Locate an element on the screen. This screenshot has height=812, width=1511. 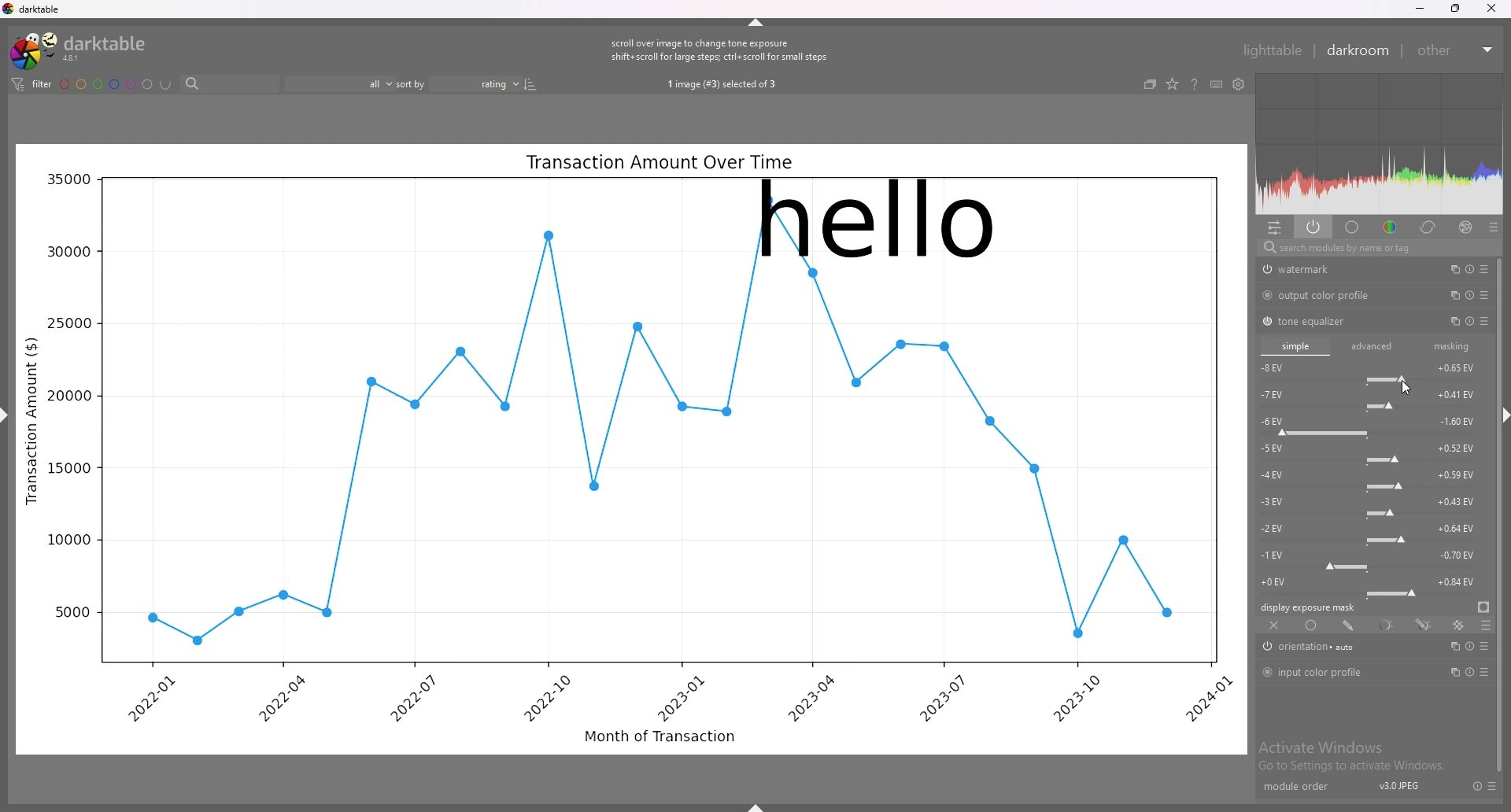
darkroom is located at coordinates (1359, 51).